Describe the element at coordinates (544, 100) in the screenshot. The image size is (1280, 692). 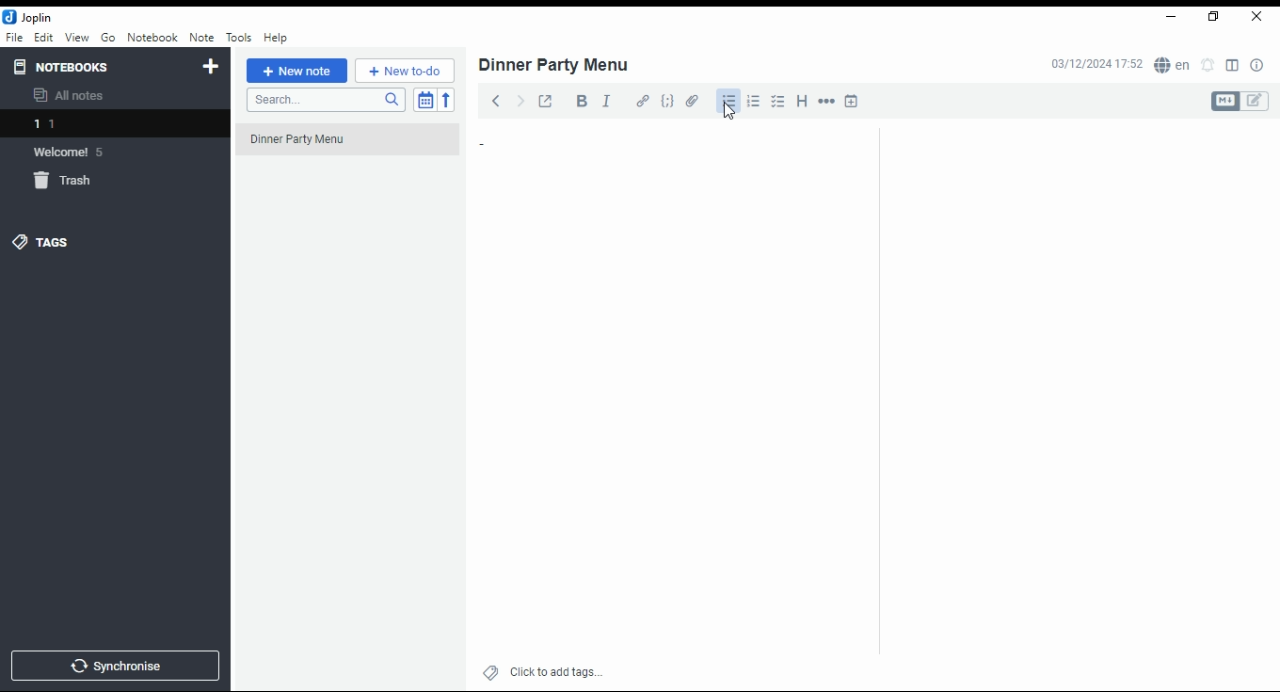
I see `toggle external editing` at that location.